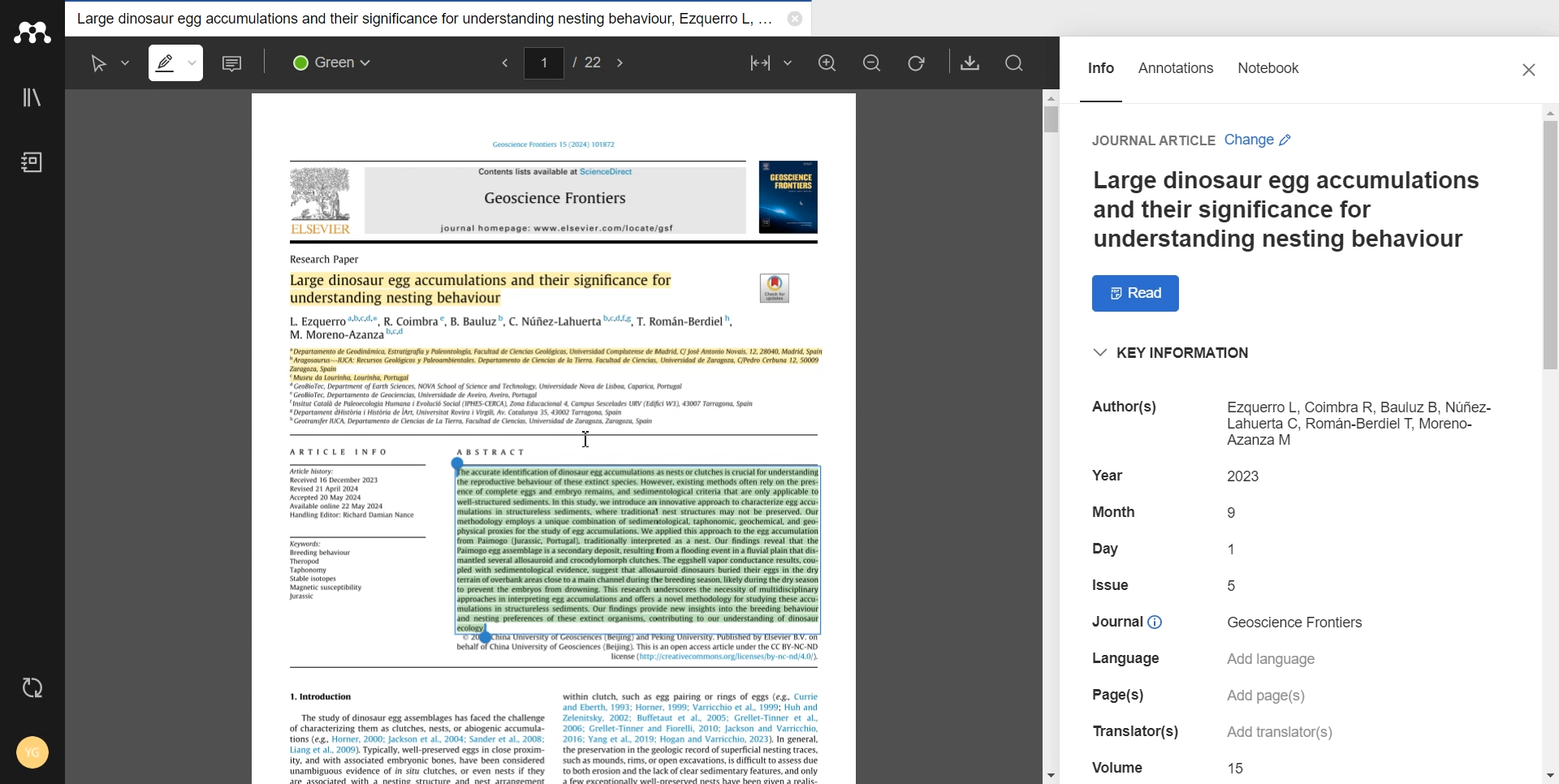  What do you see at coordinates (789, 197) in the screenshot?
I see `image` at bounding box center [789, 197].